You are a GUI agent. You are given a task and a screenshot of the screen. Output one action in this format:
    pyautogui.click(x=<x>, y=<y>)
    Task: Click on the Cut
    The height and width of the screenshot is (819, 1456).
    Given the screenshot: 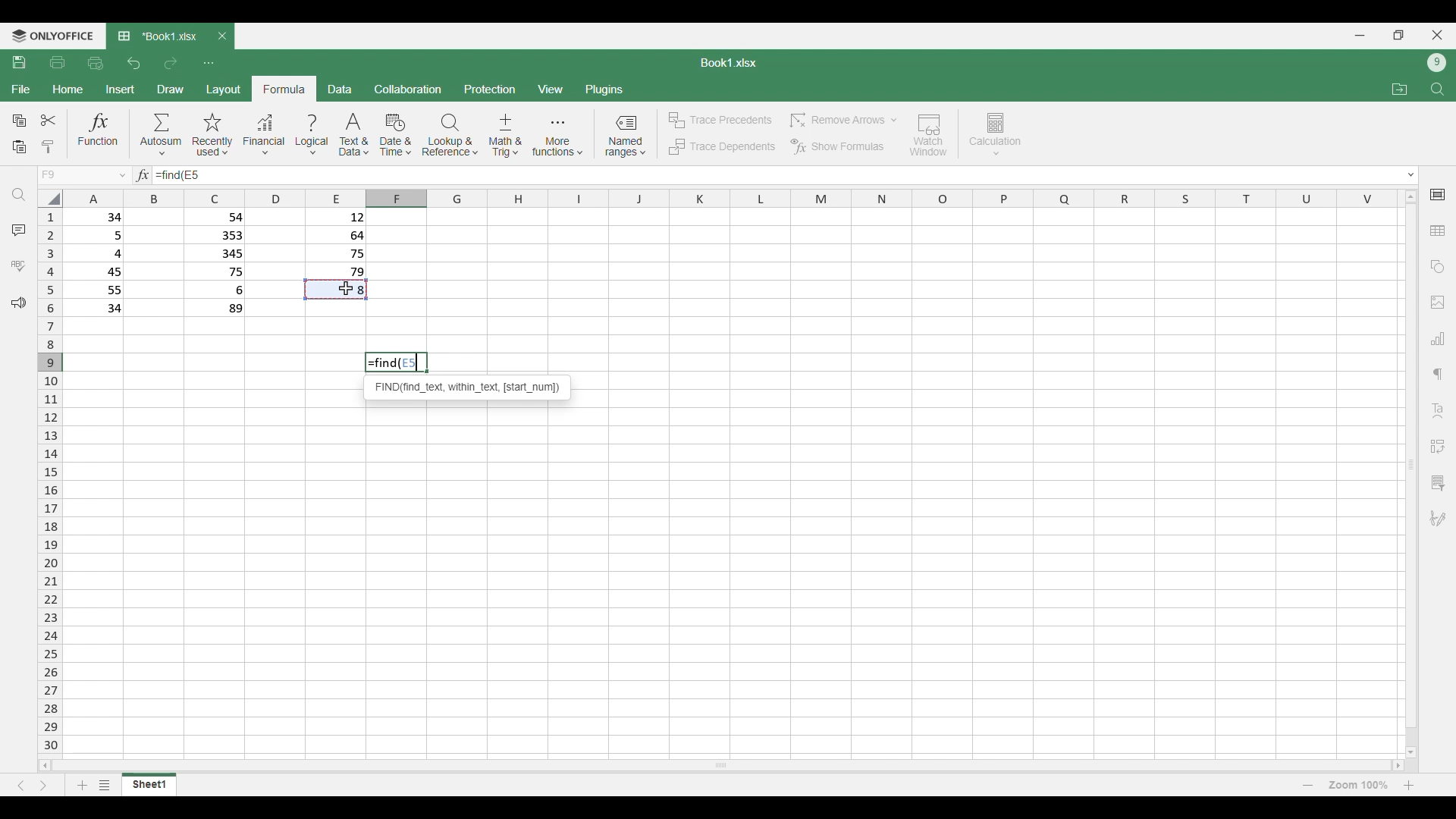 What is the action you would take?
    pyautogui.click(x=49, y=120)
    